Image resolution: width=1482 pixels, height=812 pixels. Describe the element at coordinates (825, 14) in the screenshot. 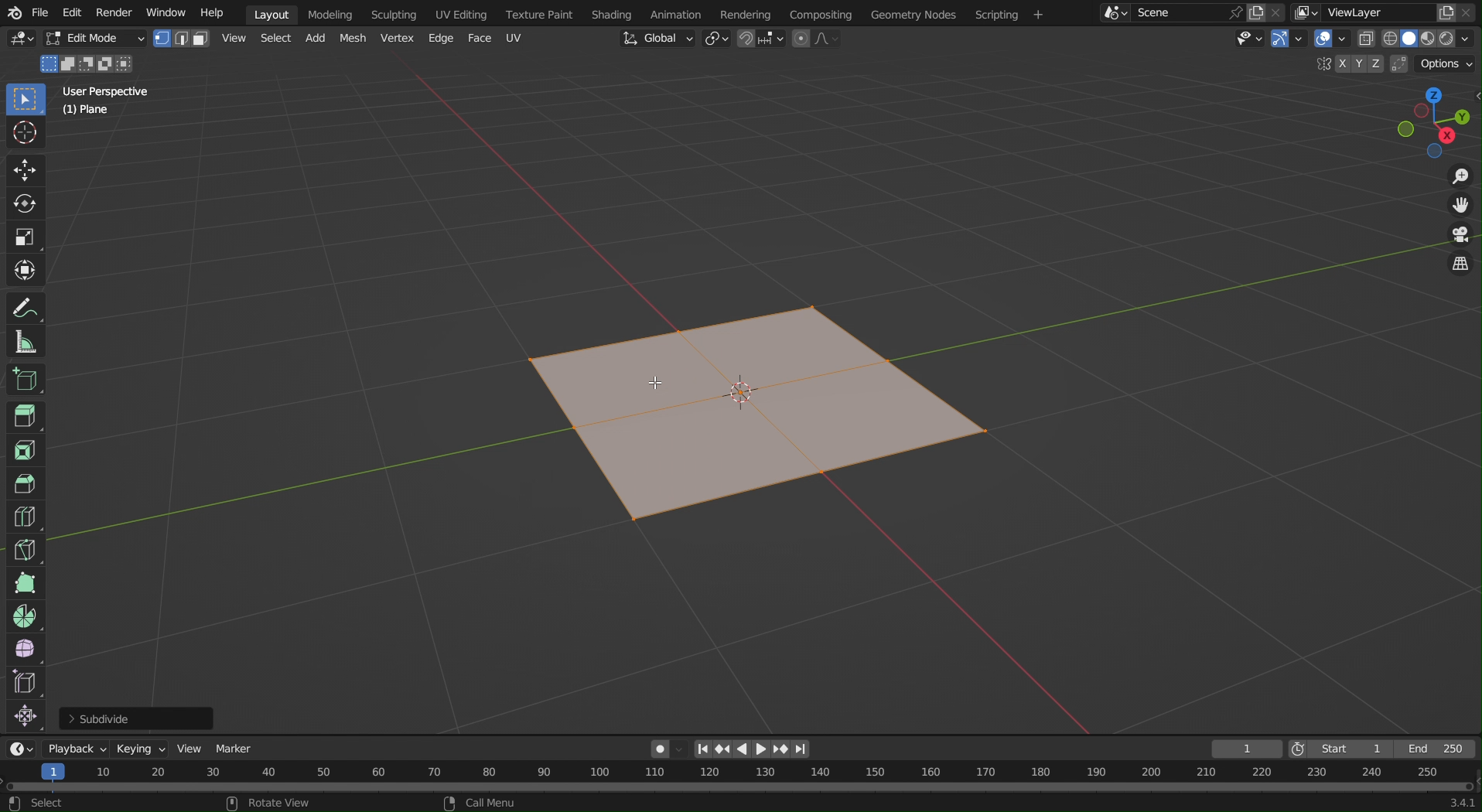

I see `Compositing` at that location.